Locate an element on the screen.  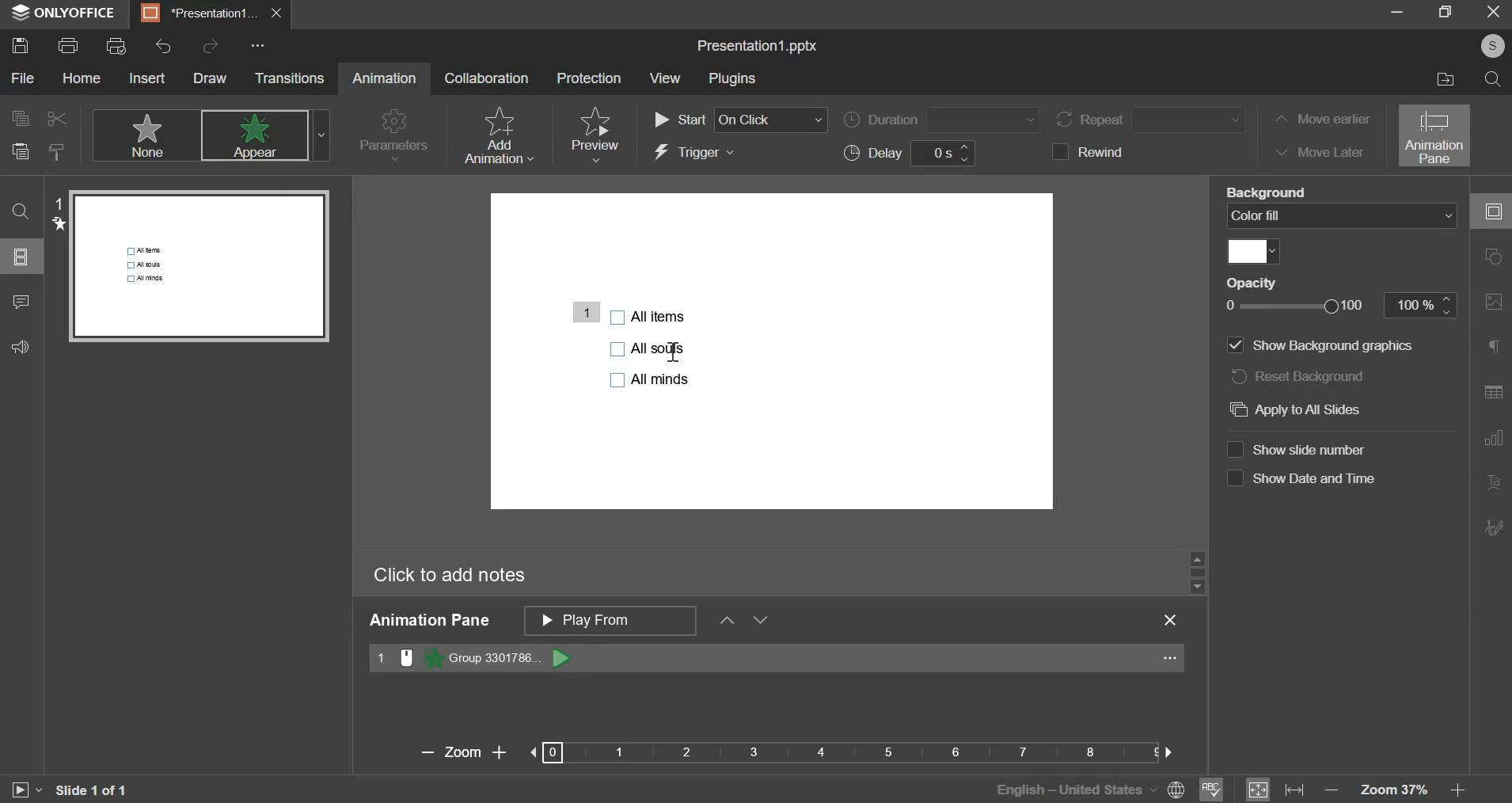
show slide number is located at coordinates (1297, 450).